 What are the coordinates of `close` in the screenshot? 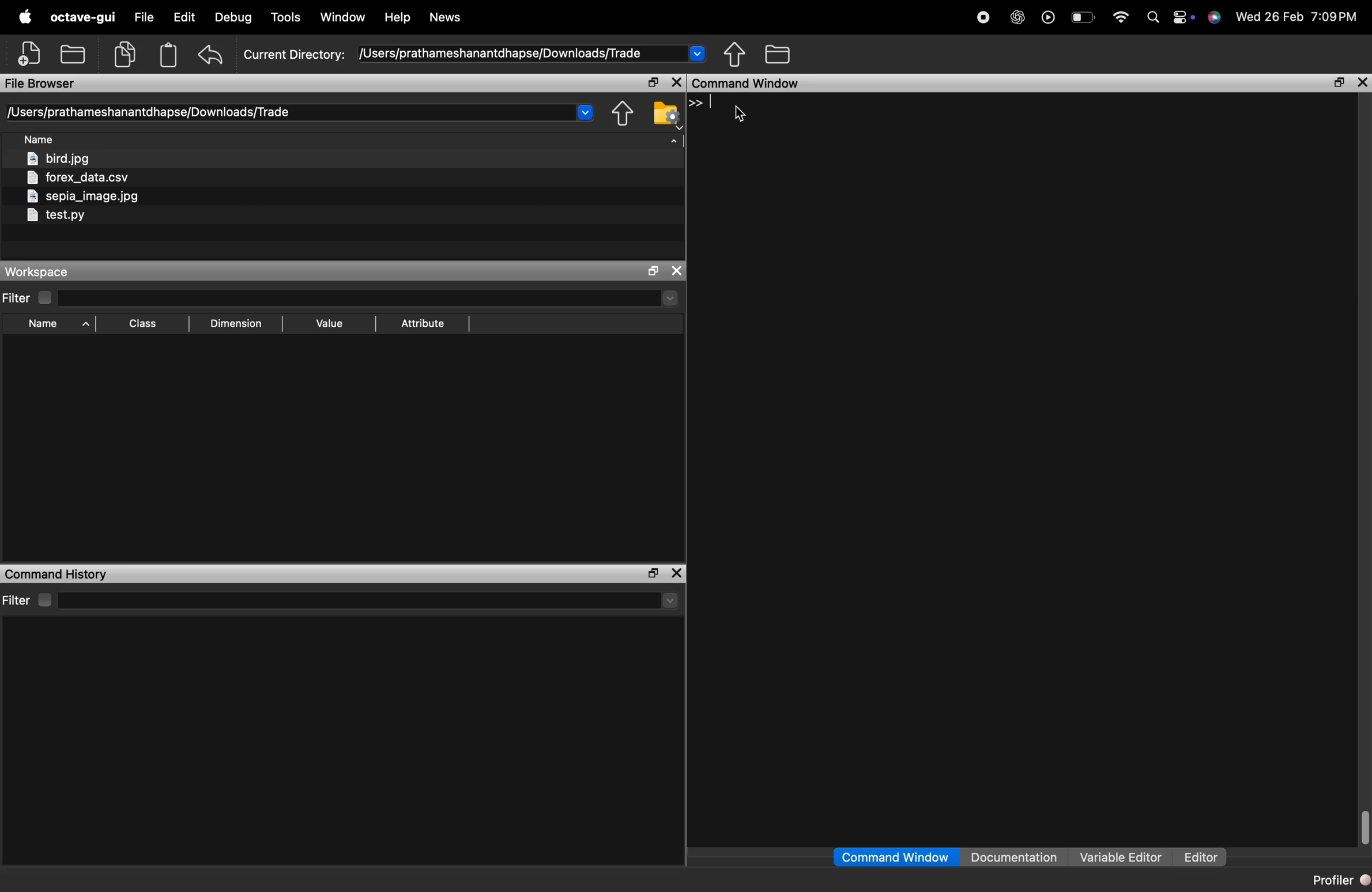 It's located at (678, 573).